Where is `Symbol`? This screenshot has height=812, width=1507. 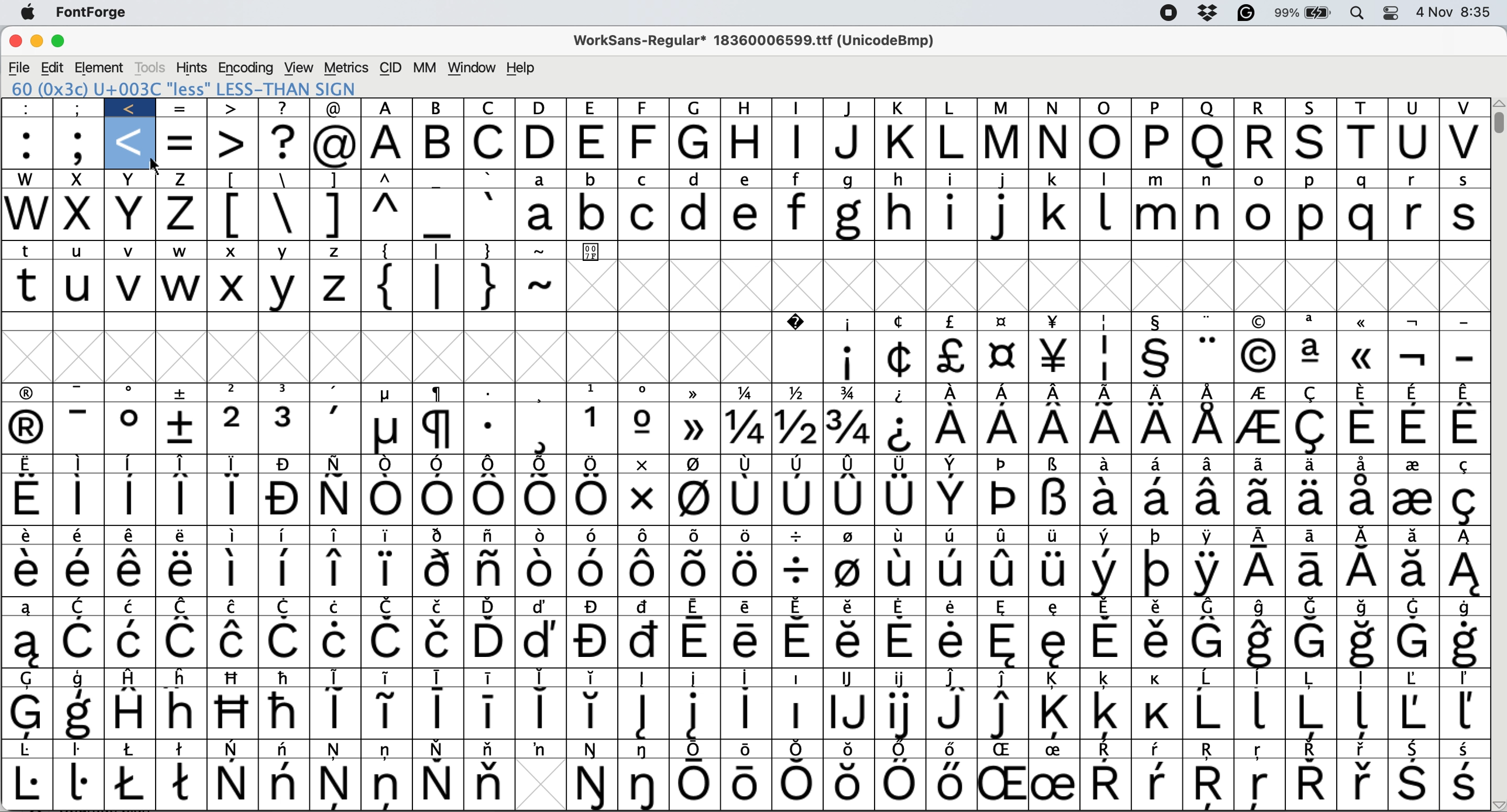 Symbol is located at coordinates (543, 499).